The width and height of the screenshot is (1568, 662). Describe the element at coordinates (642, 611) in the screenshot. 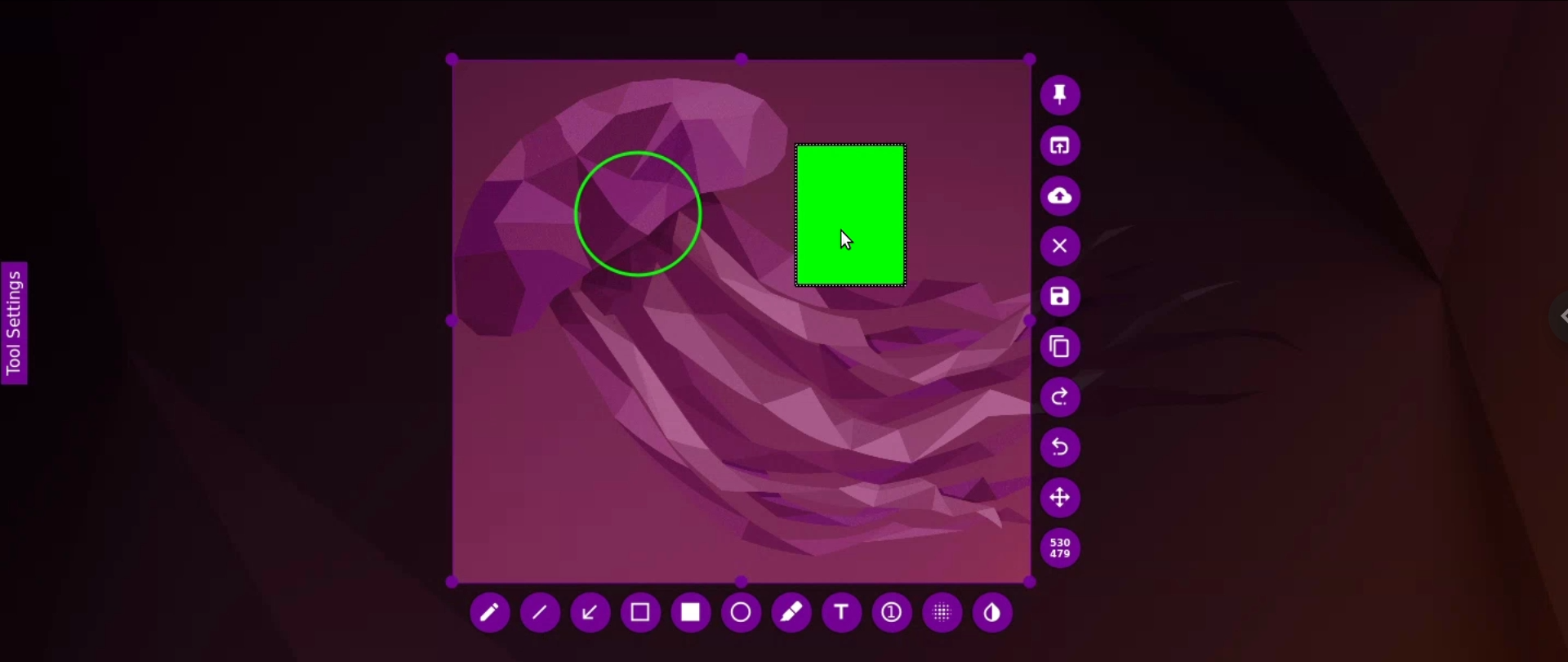

I see `selection` at that location.